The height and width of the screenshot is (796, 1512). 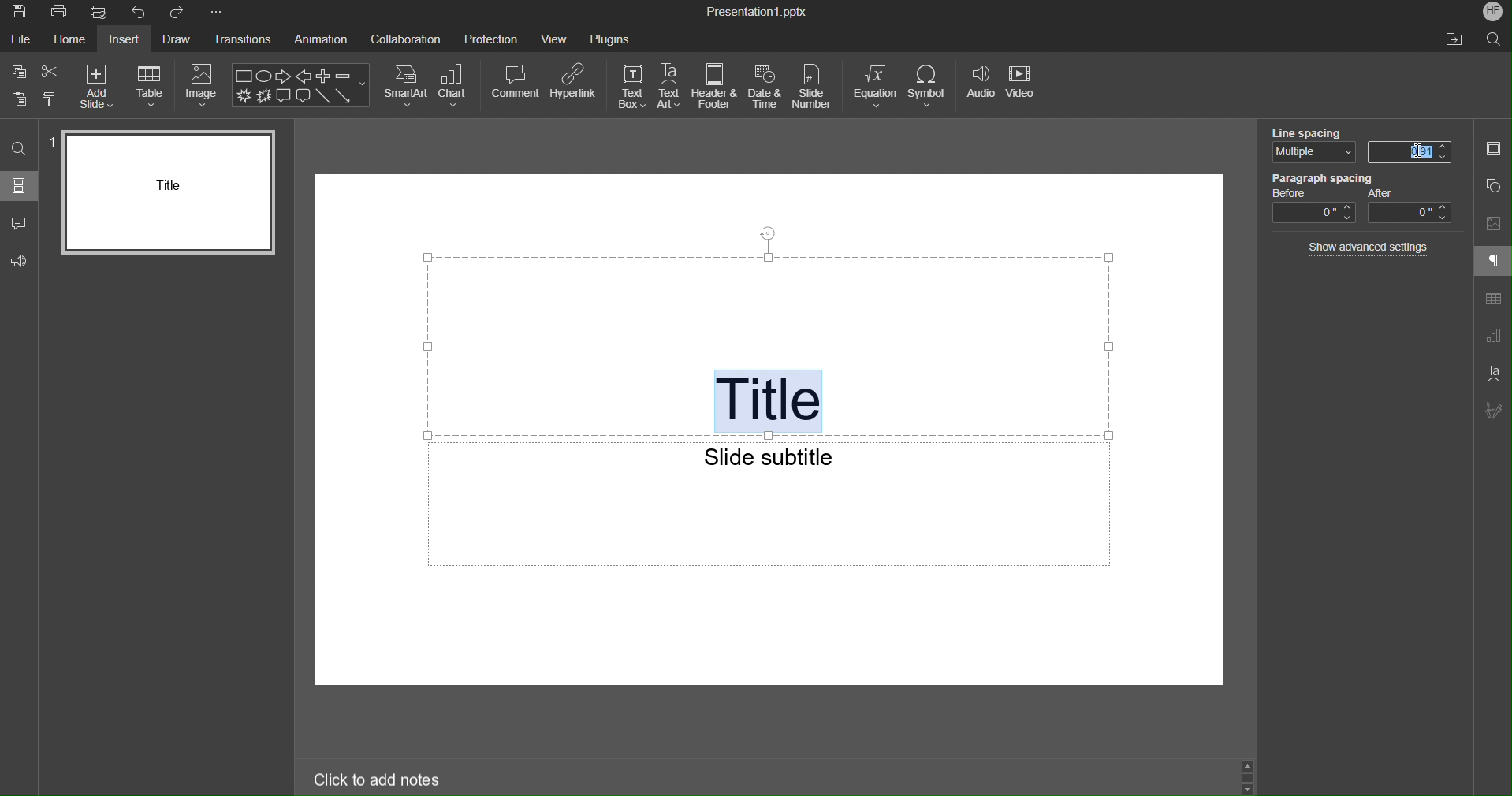 What do you see at coordinates (19, 222) in the screenshot?
I see `Comment` at bounding box center [19, 222].